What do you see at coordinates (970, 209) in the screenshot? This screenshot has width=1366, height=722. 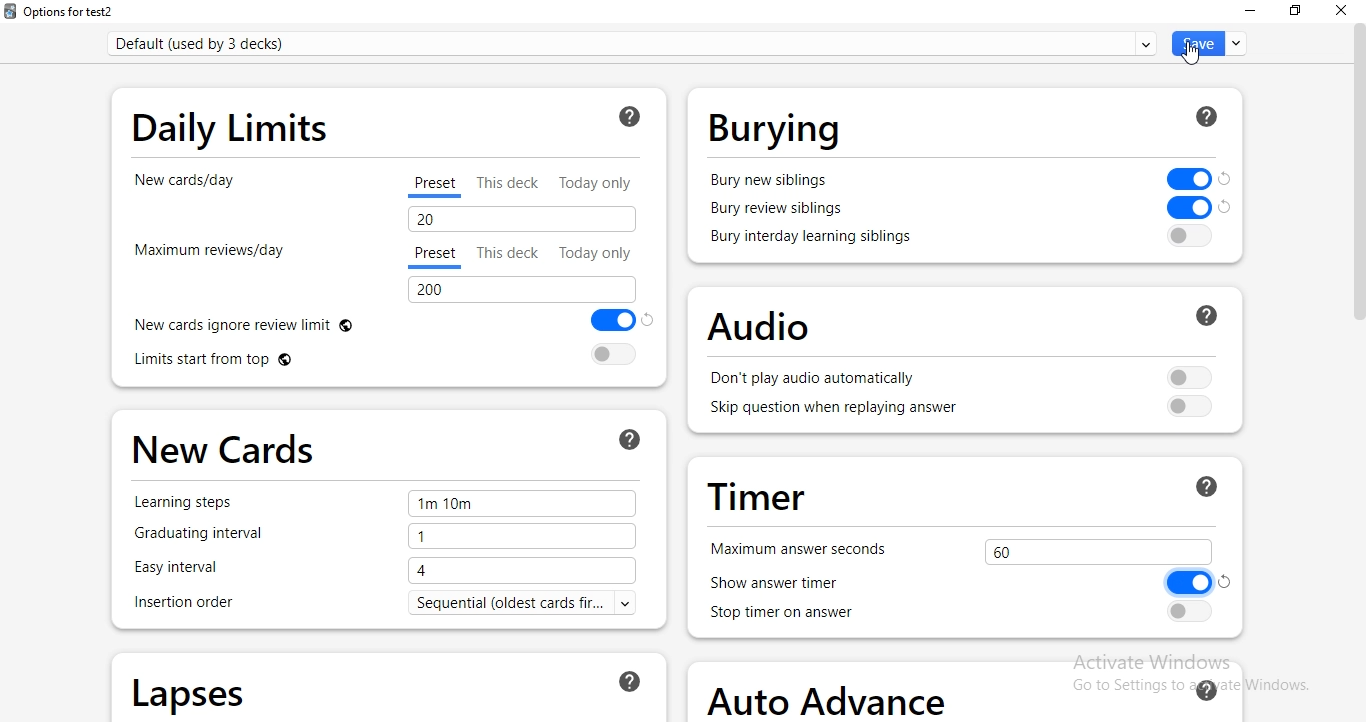 I see `bury new siblings` at bounding box center [970, 209].